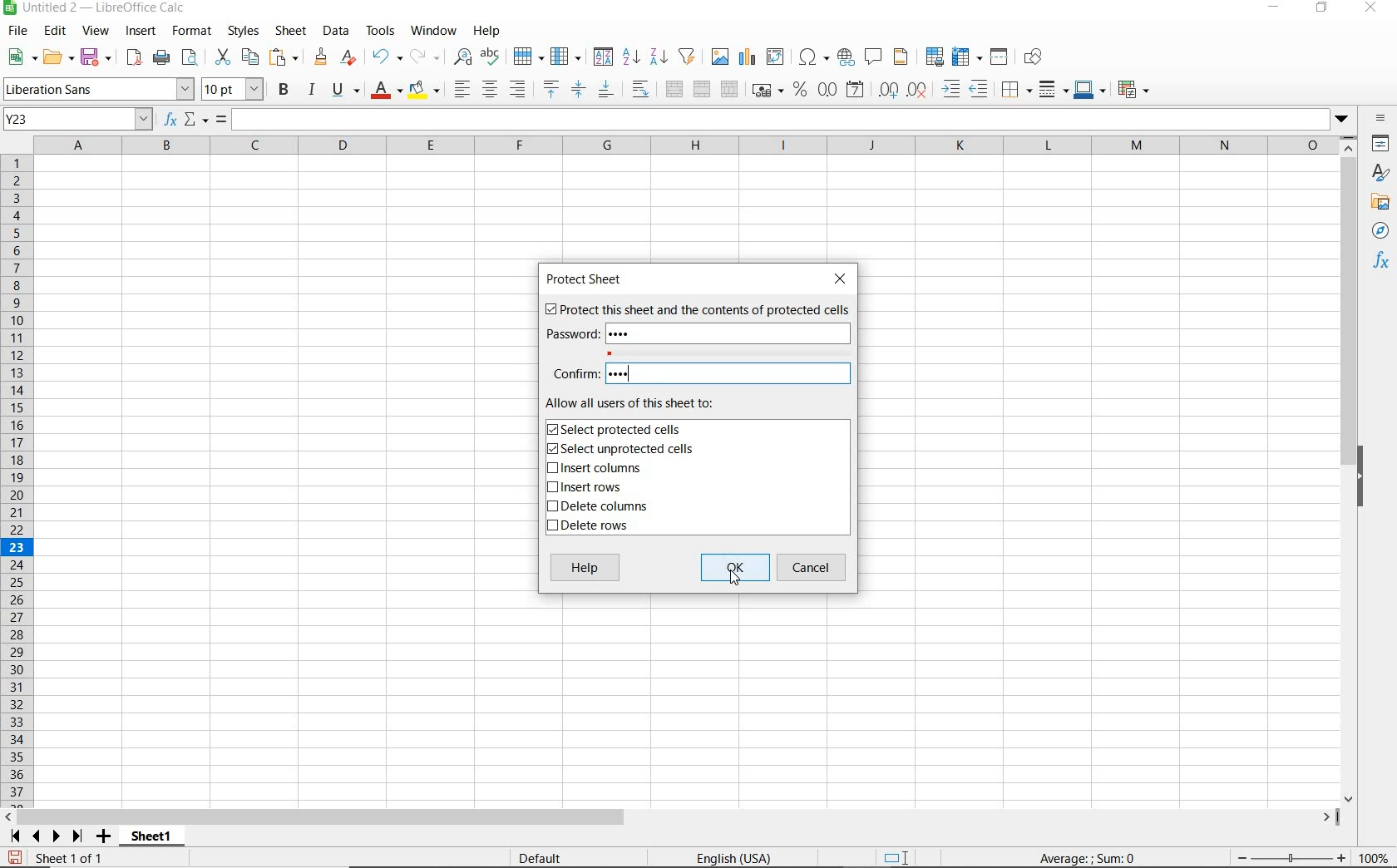 The image size is (1397, 868). What do you see at coordinates (854, 90) in the screenshot?
I see `FORMAT AS DATE` at bounding box center [854, 90].